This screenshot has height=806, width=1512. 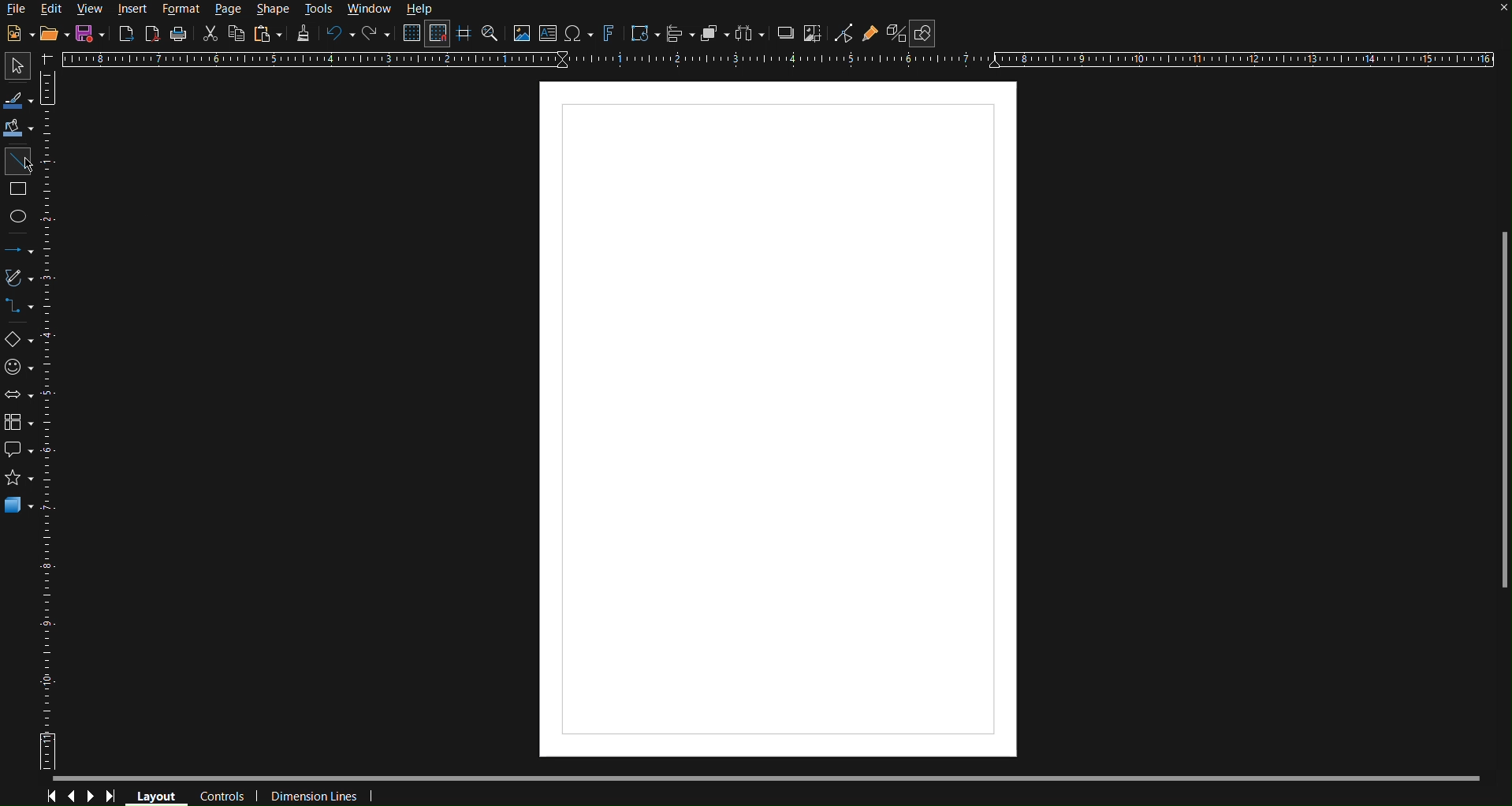 I want to click on Ellipse, so click(x=19, y=215).